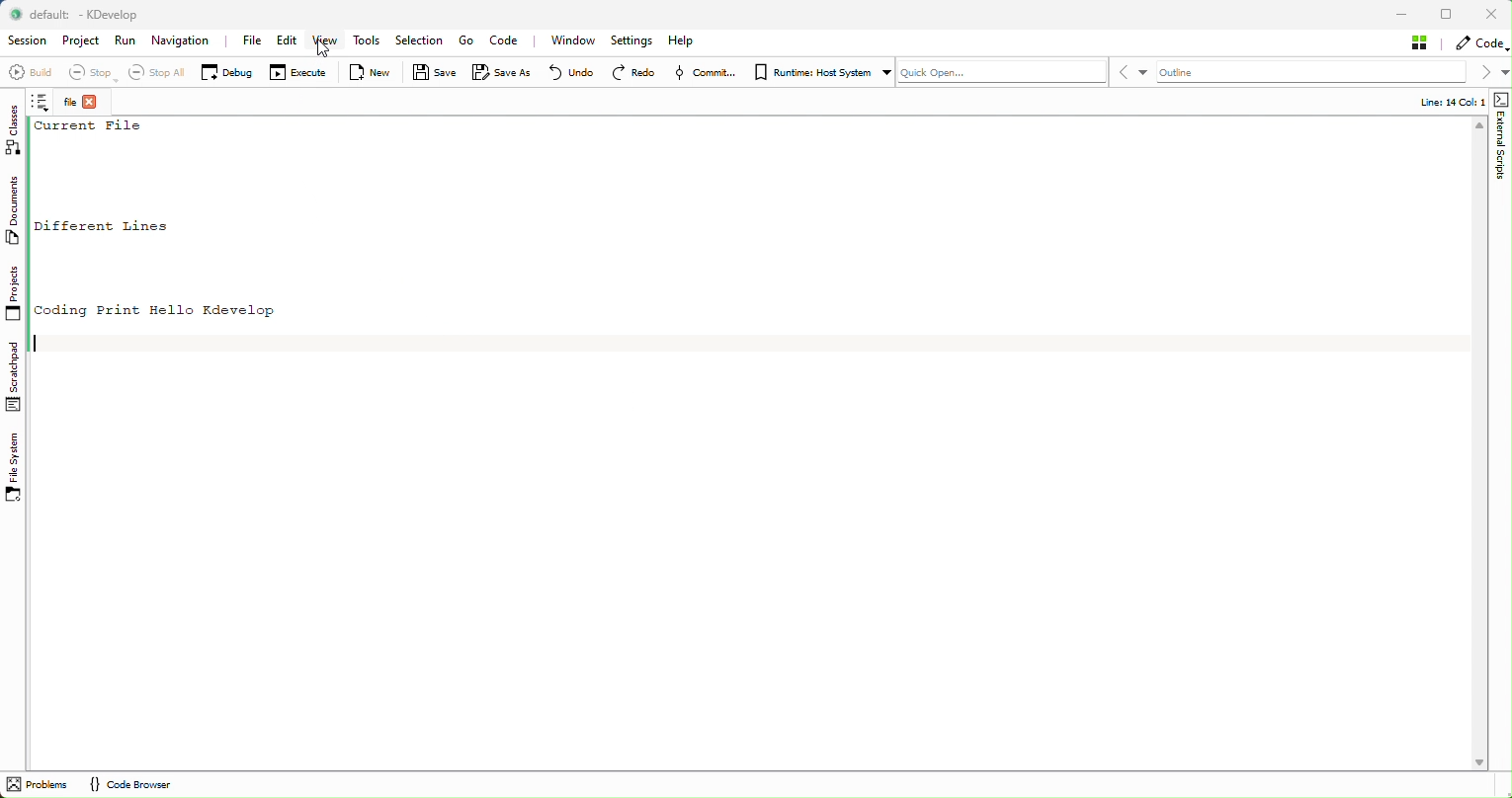  I want to click on Debug, so click(226, 71).